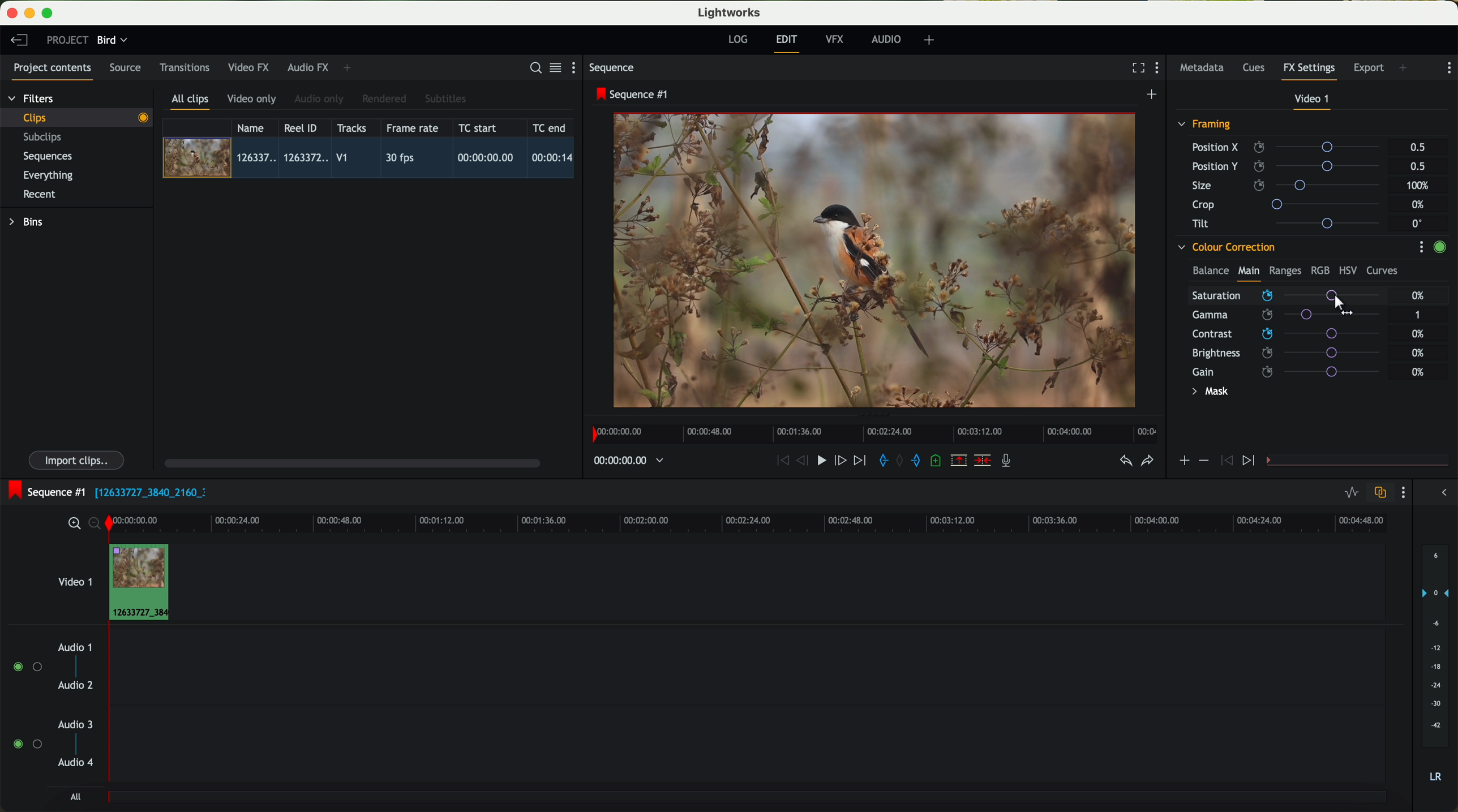  I want to click on filters, so click(32, 98).